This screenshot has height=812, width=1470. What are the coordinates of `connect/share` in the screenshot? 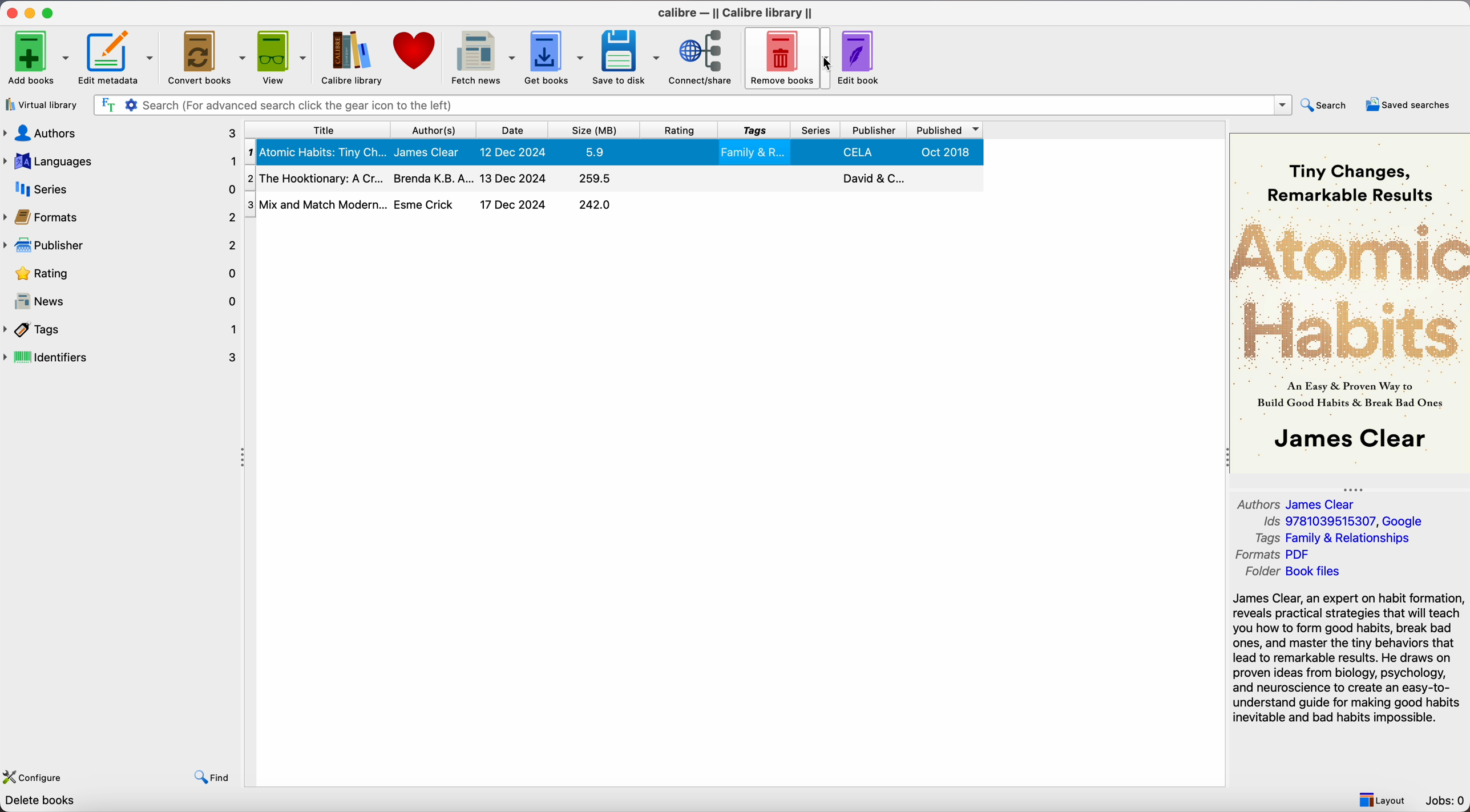 It's located at (701, 56).